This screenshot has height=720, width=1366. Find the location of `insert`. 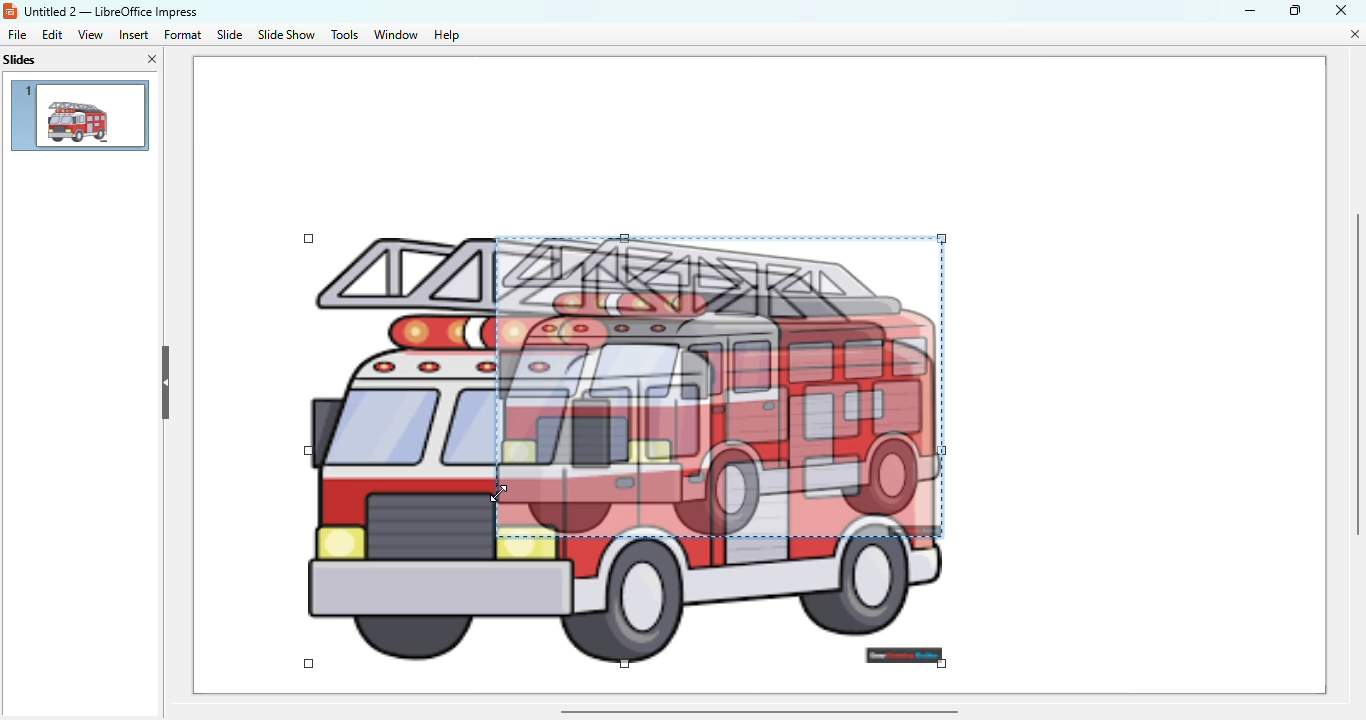

insert is located at coordinates (133, 35).